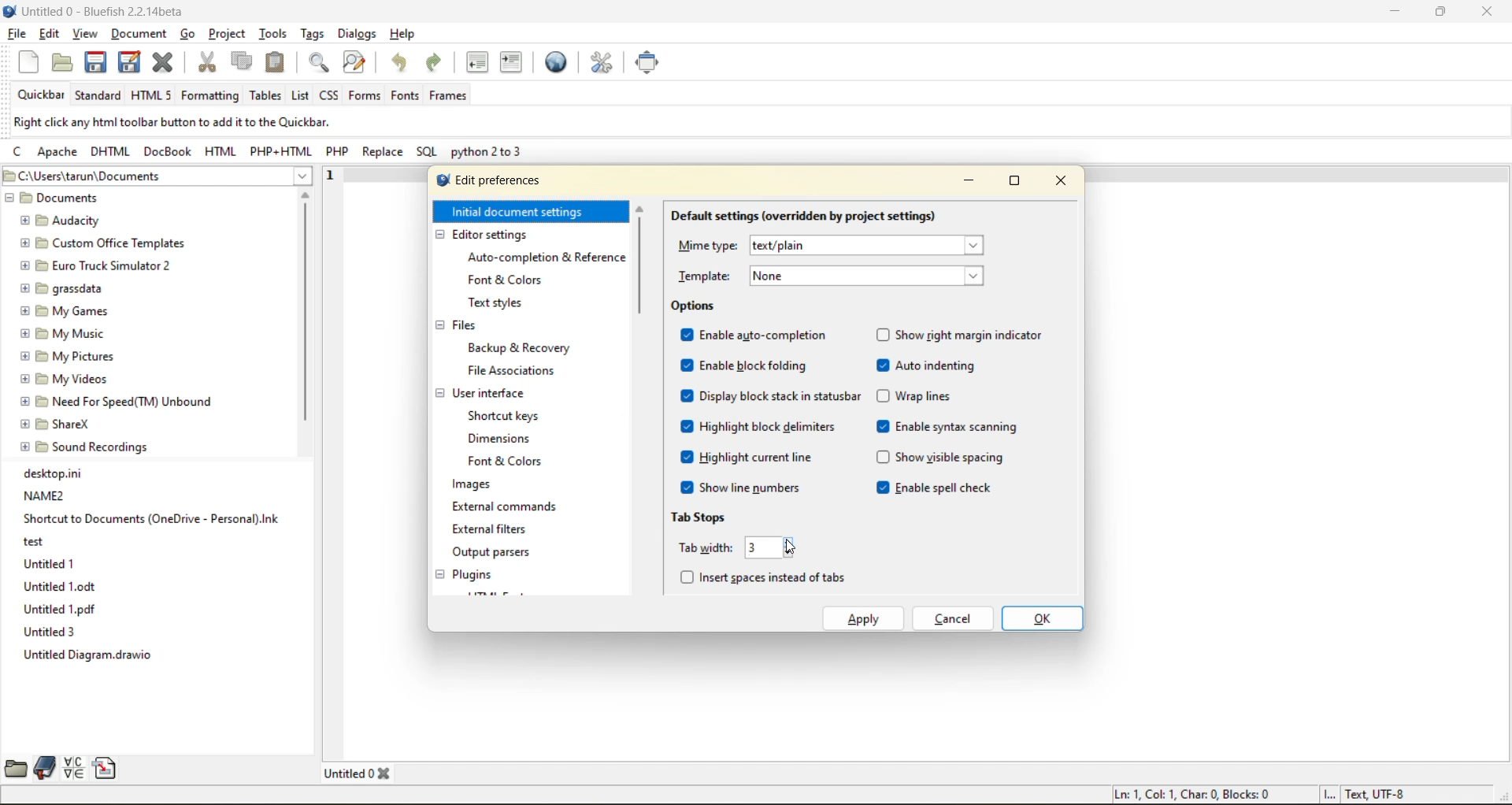  I want to click on Shortcut to Documents (OneDrive - Personal).Ink, so click(151, 518).